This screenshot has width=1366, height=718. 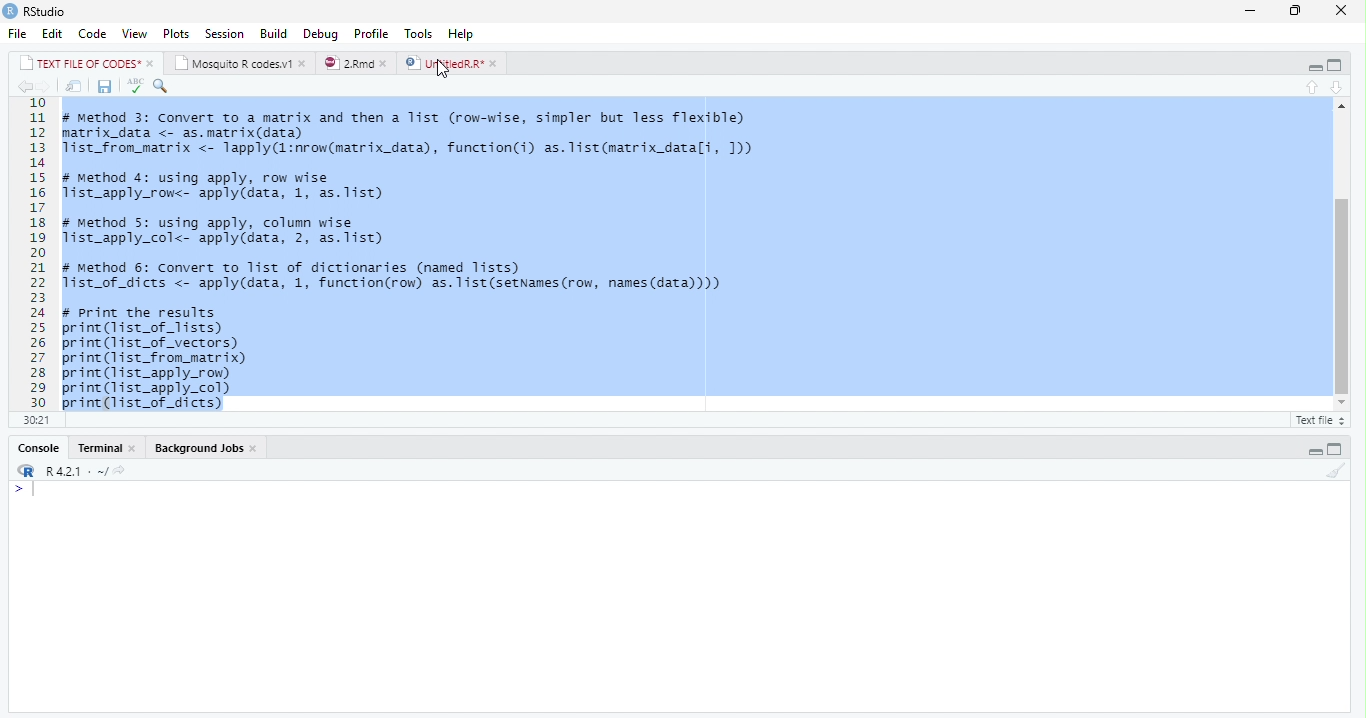 What do you see at coordinates (1310, 67) in the screenshot?
I see `Hide` at bounding box center [1310, 67].